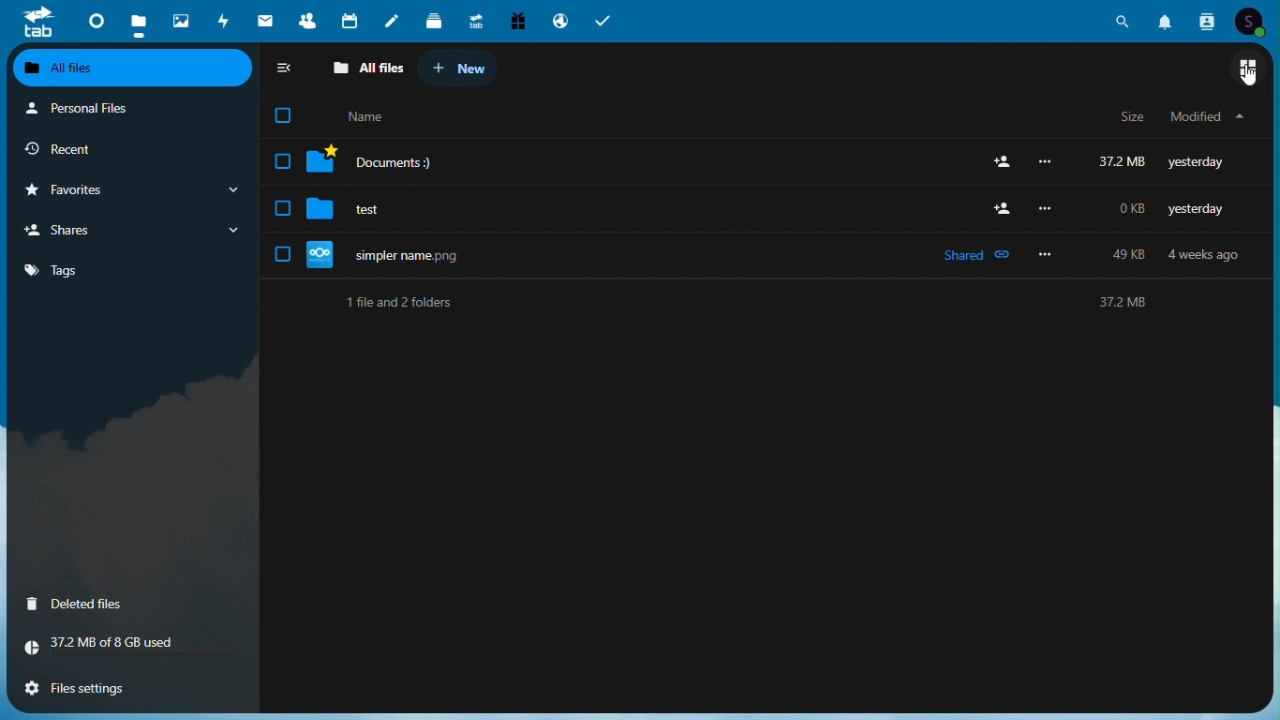 This screenshot has height=720, width=1280. I want to click on notifications, so click(1167, 22).